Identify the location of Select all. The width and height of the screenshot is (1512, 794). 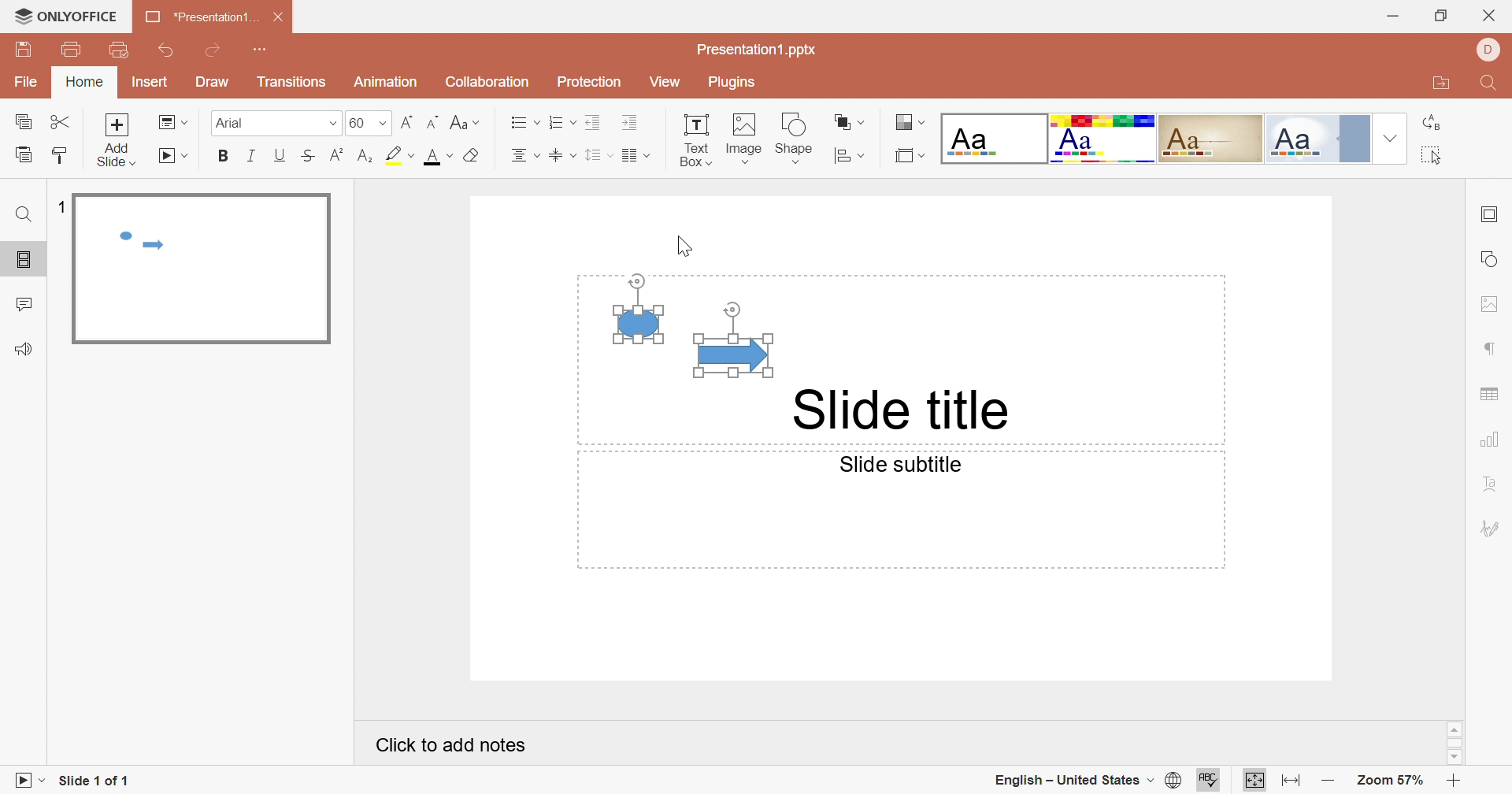
(1432, 157).